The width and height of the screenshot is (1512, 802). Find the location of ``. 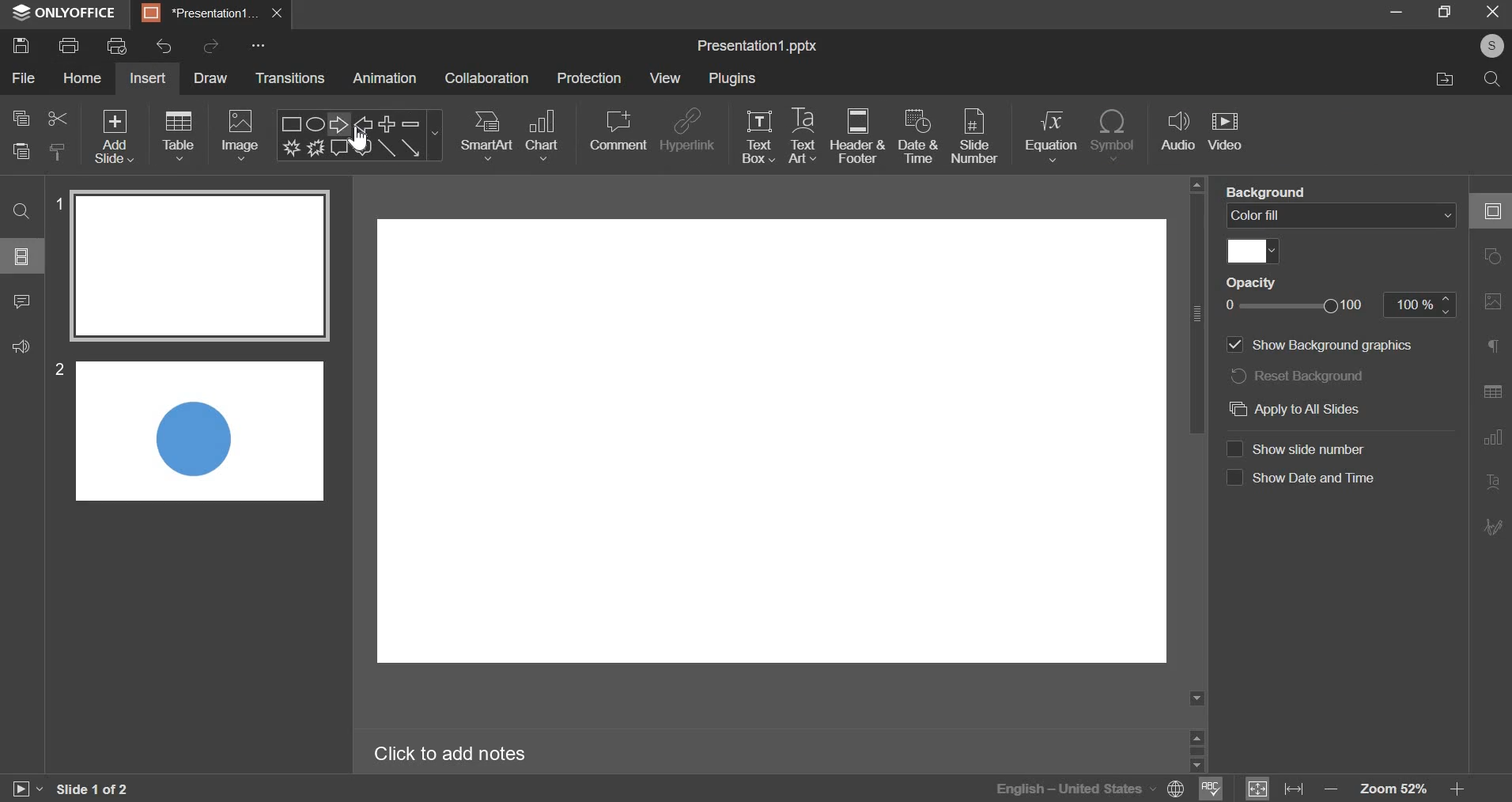

 is located at coordinates (114, 113).